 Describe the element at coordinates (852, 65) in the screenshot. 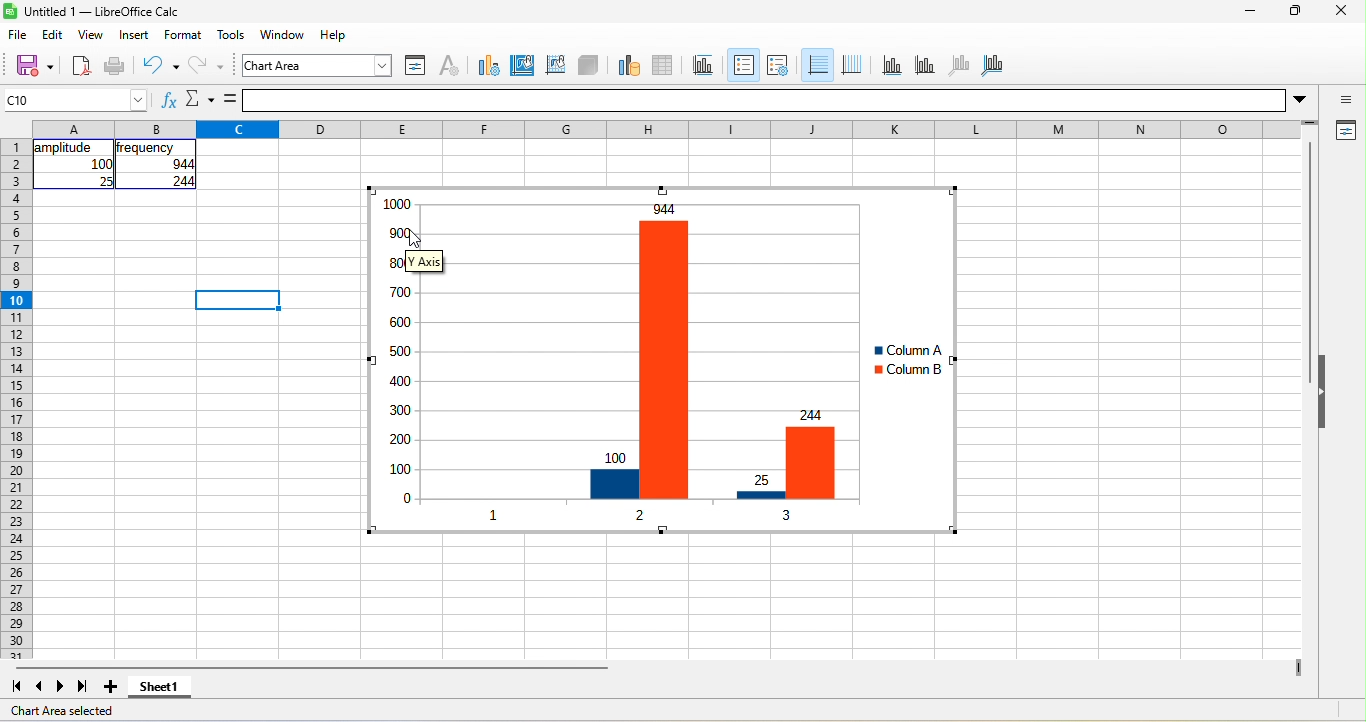

I see `vertical grids` at that location.